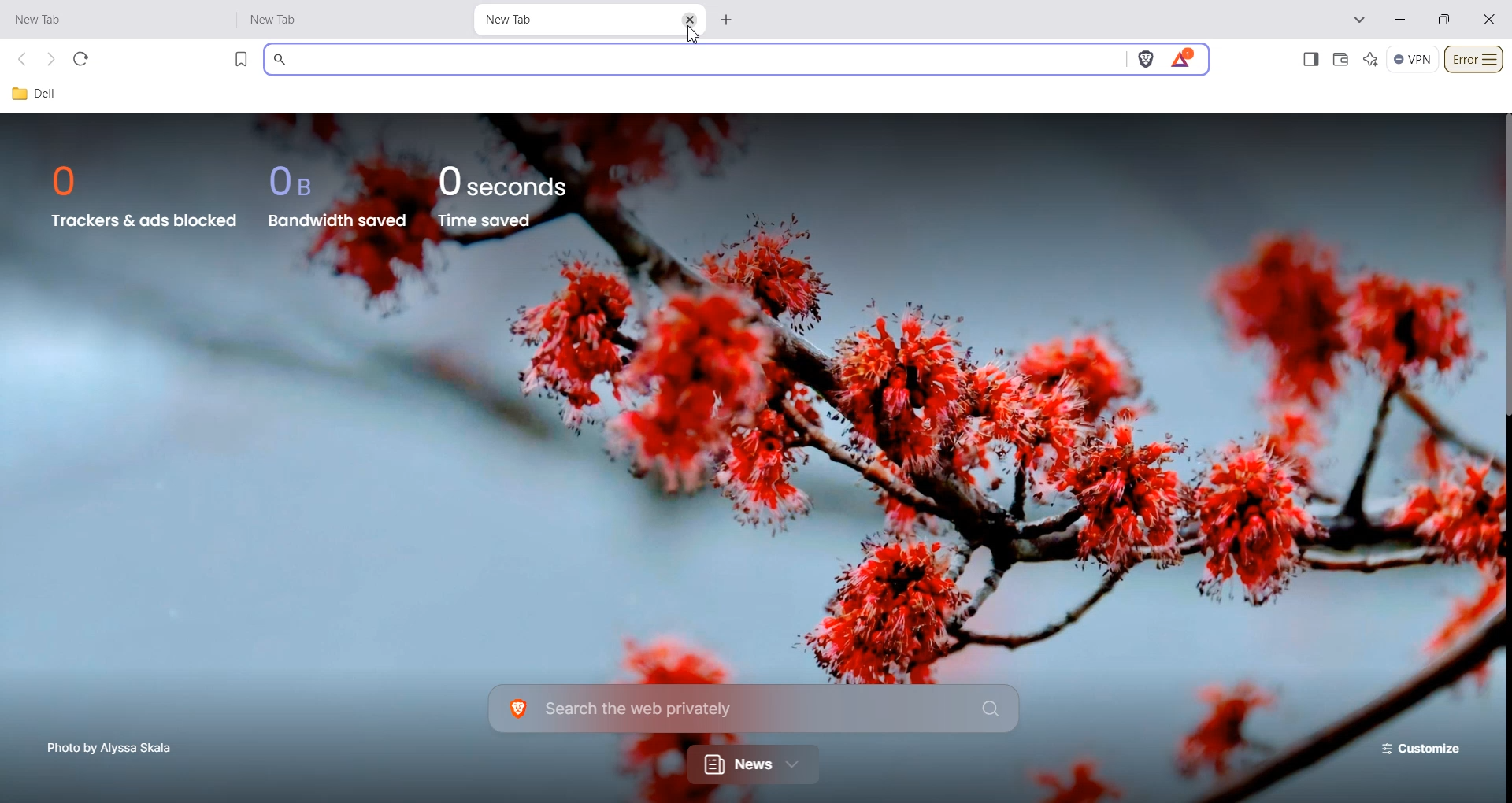 The image size is (1512, 803). What do you see at coordinates (71, 180) in the screenshot?
I see `0` at bounding box center [71, 180].